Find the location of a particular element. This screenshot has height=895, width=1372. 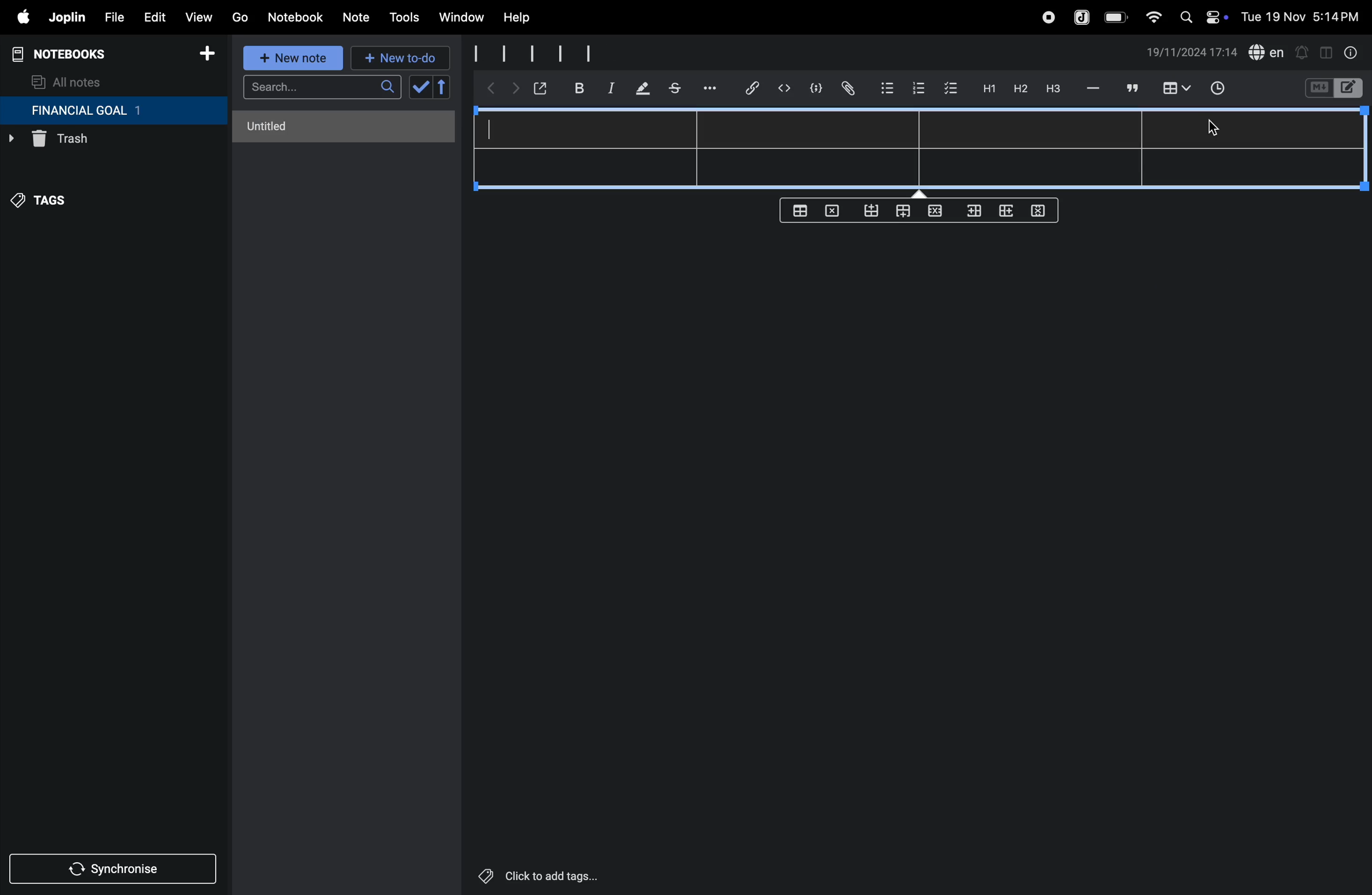

reverse sort order is located at coordinates (443, 87).